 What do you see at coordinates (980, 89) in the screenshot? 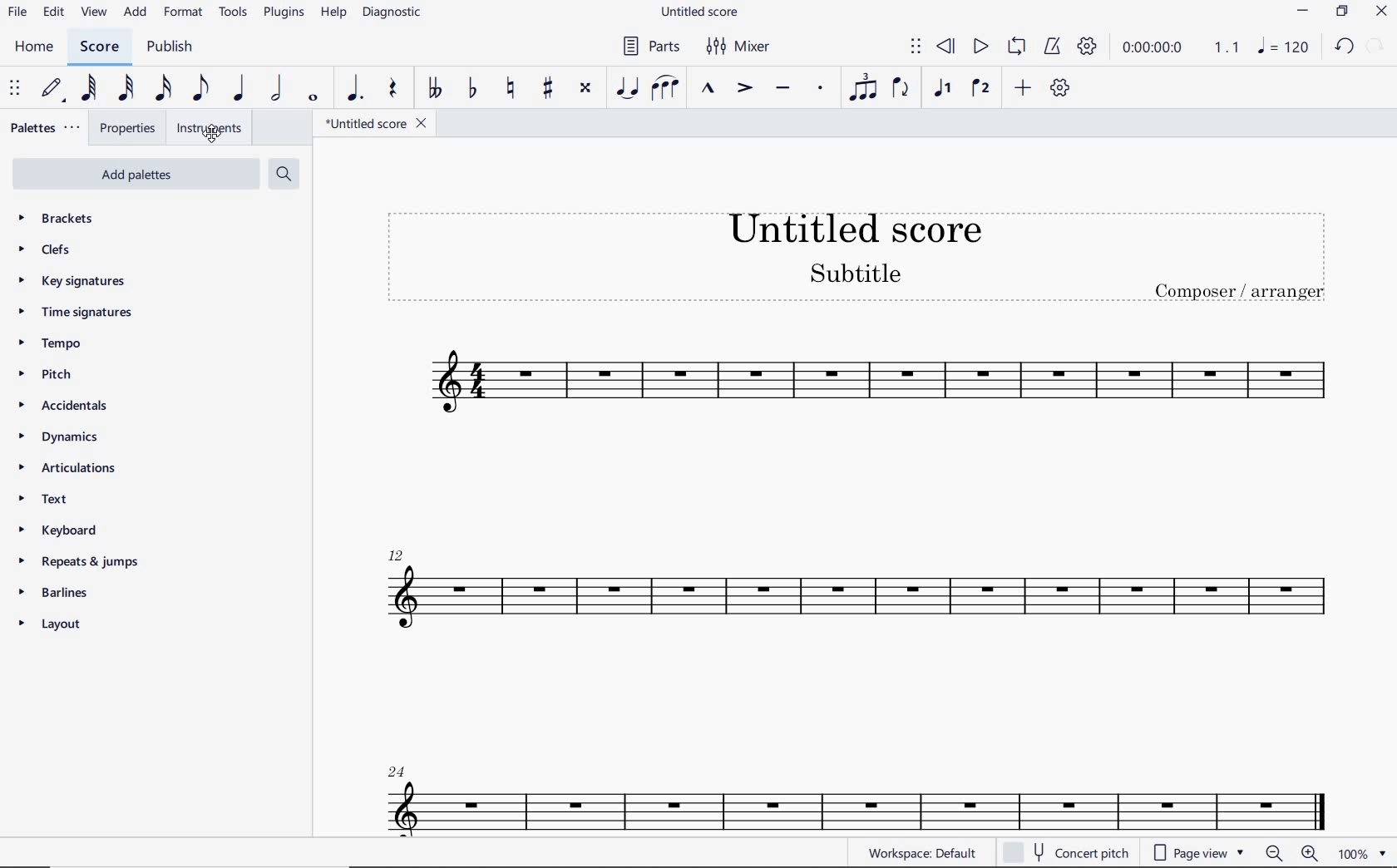
I see `VOICE 2` at bounding box center [980, 89].